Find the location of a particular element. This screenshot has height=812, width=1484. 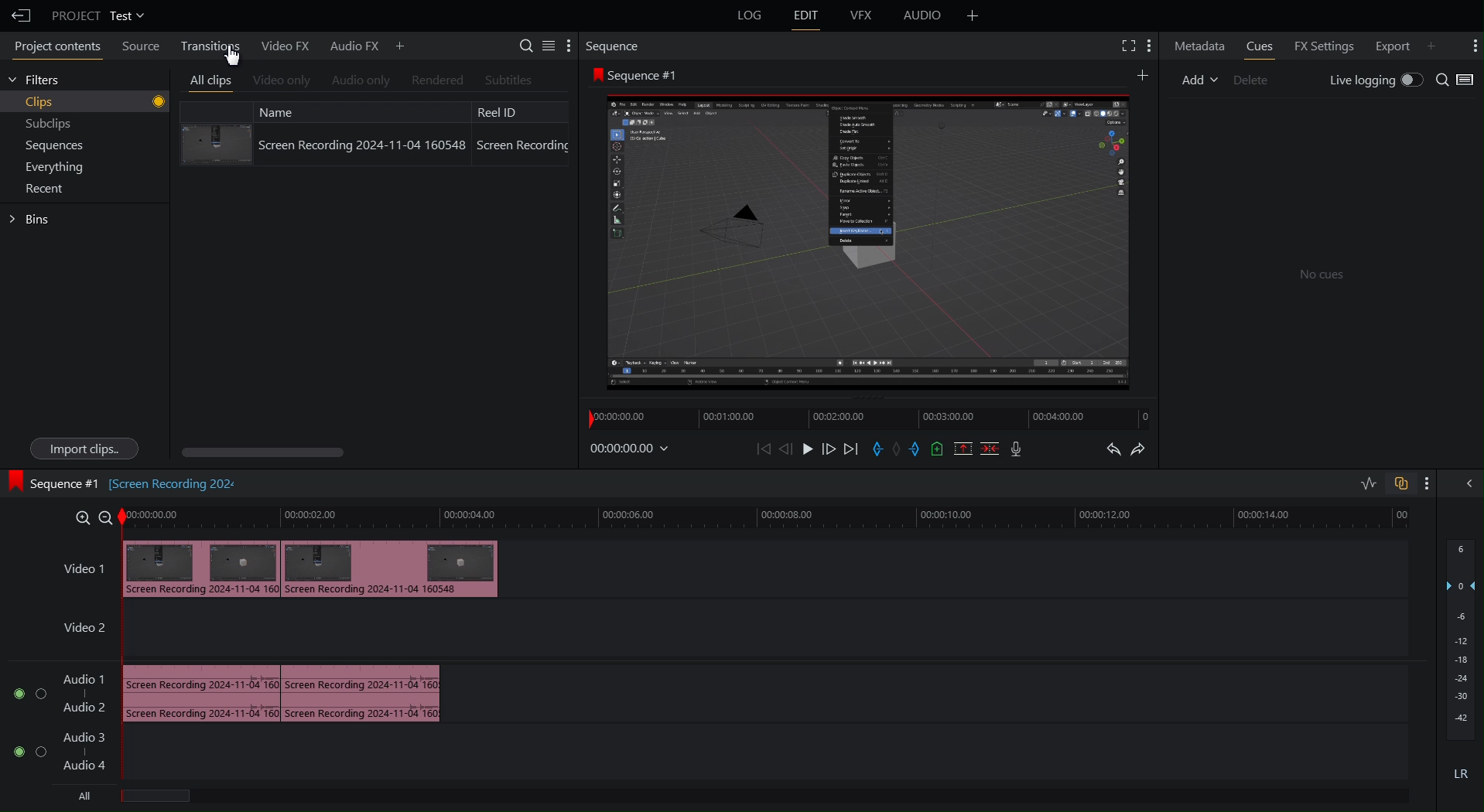

Project Test is located at coordinates (97, 15).